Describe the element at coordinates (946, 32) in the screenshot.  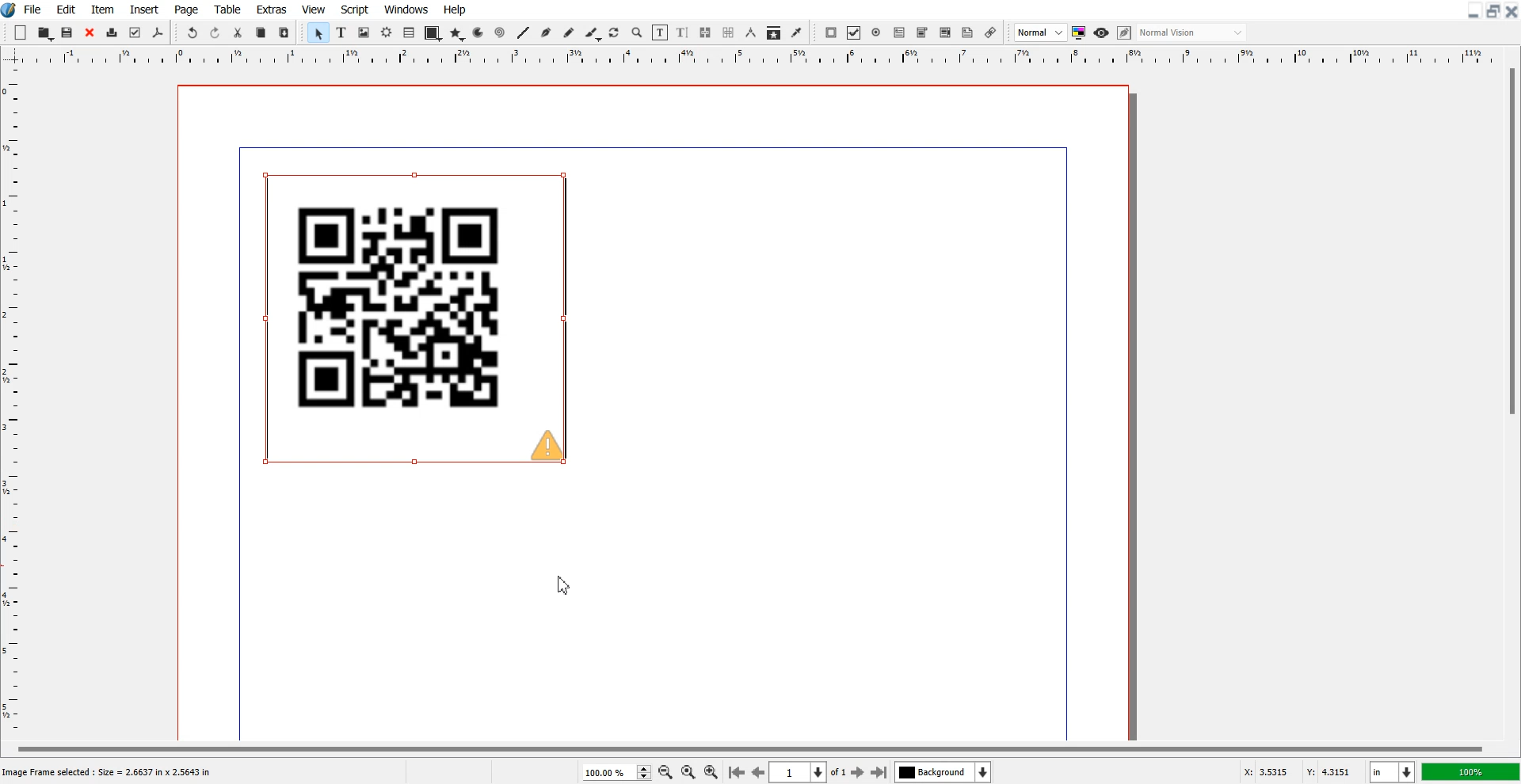
I see `PDF List Box` at that location.